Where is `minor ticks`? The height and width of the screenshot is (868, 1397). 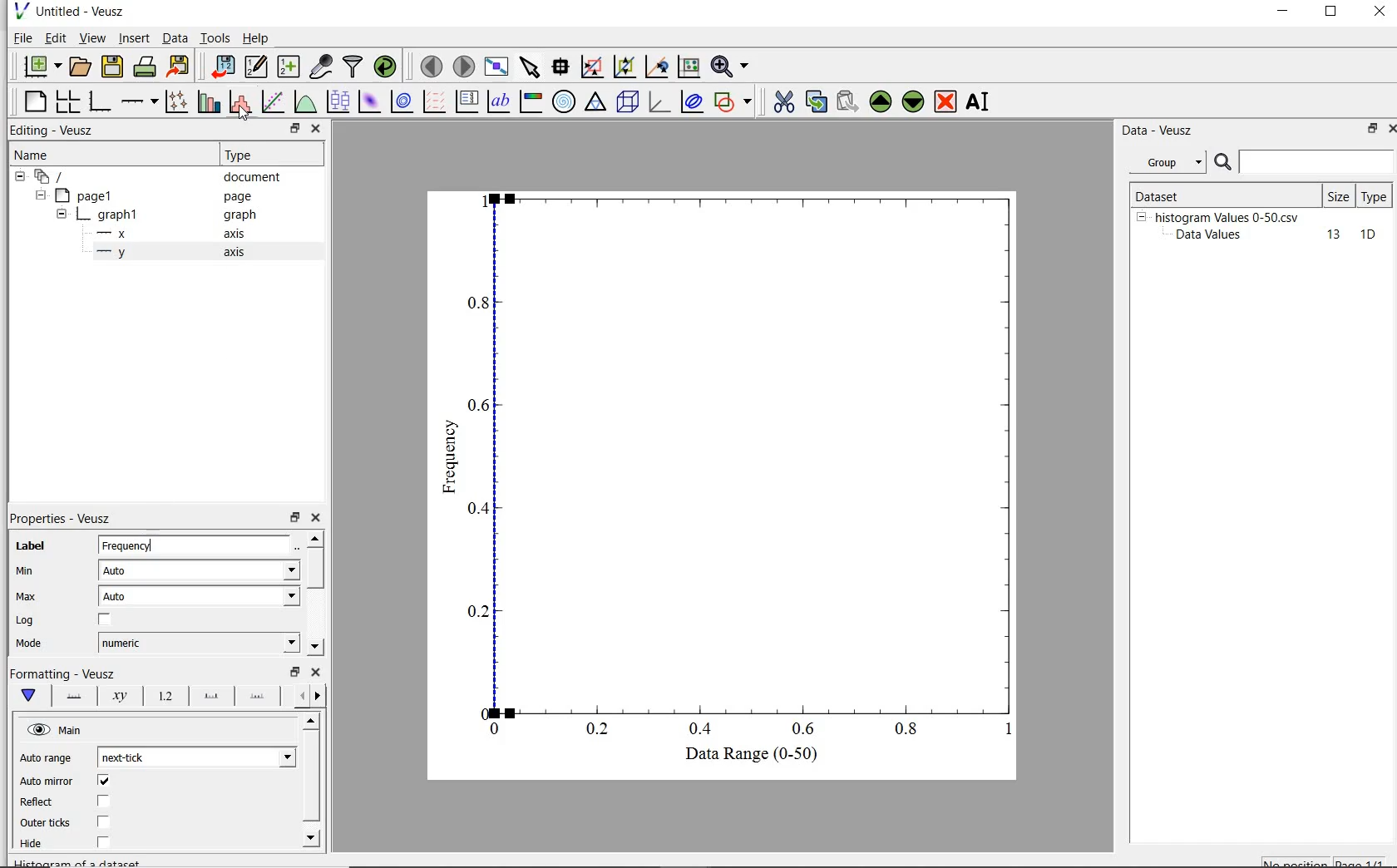 minor ticks is located at coordinates (258, 698).